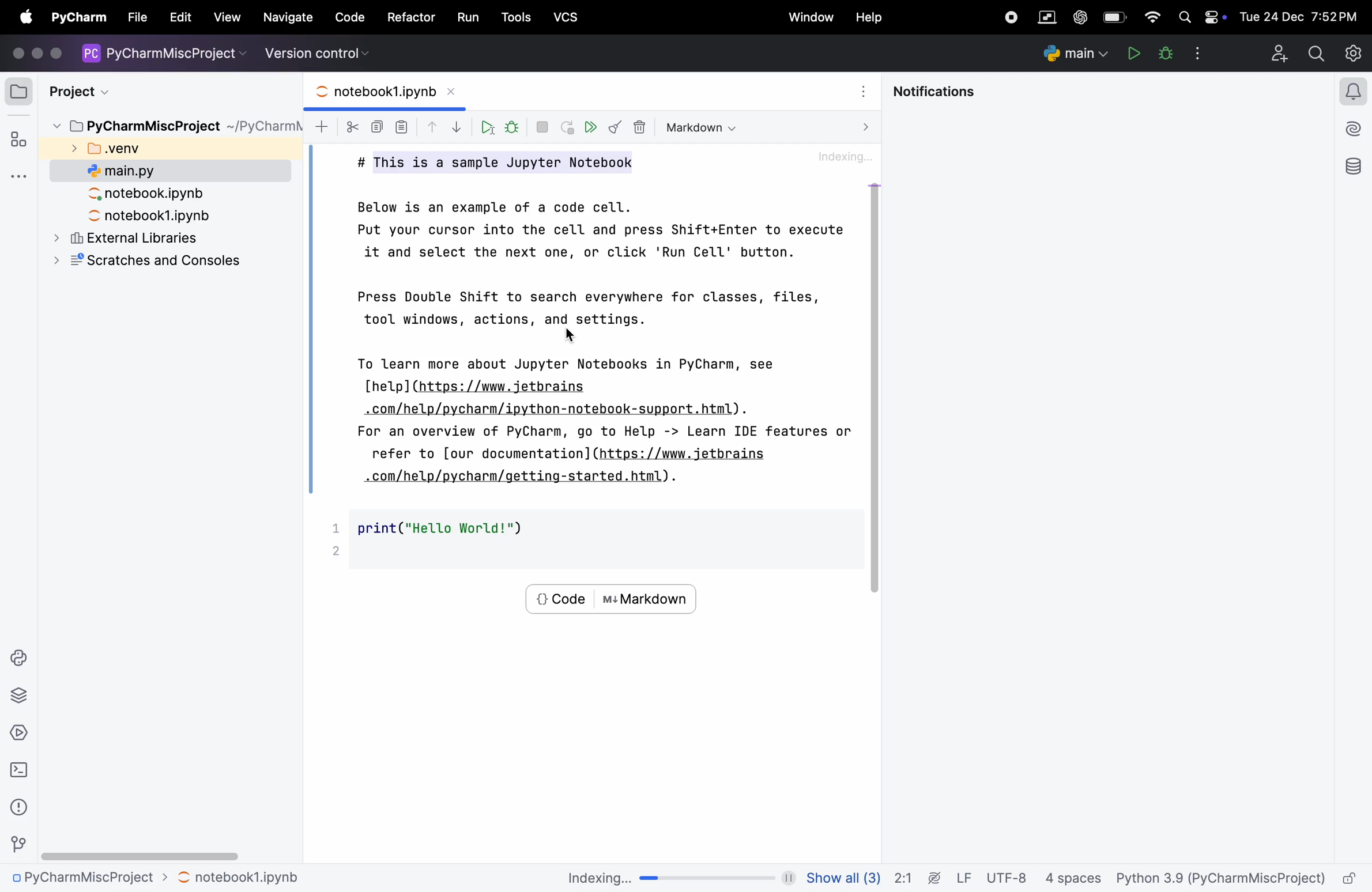  I want to click on apple widgets, so click(1197, 14).